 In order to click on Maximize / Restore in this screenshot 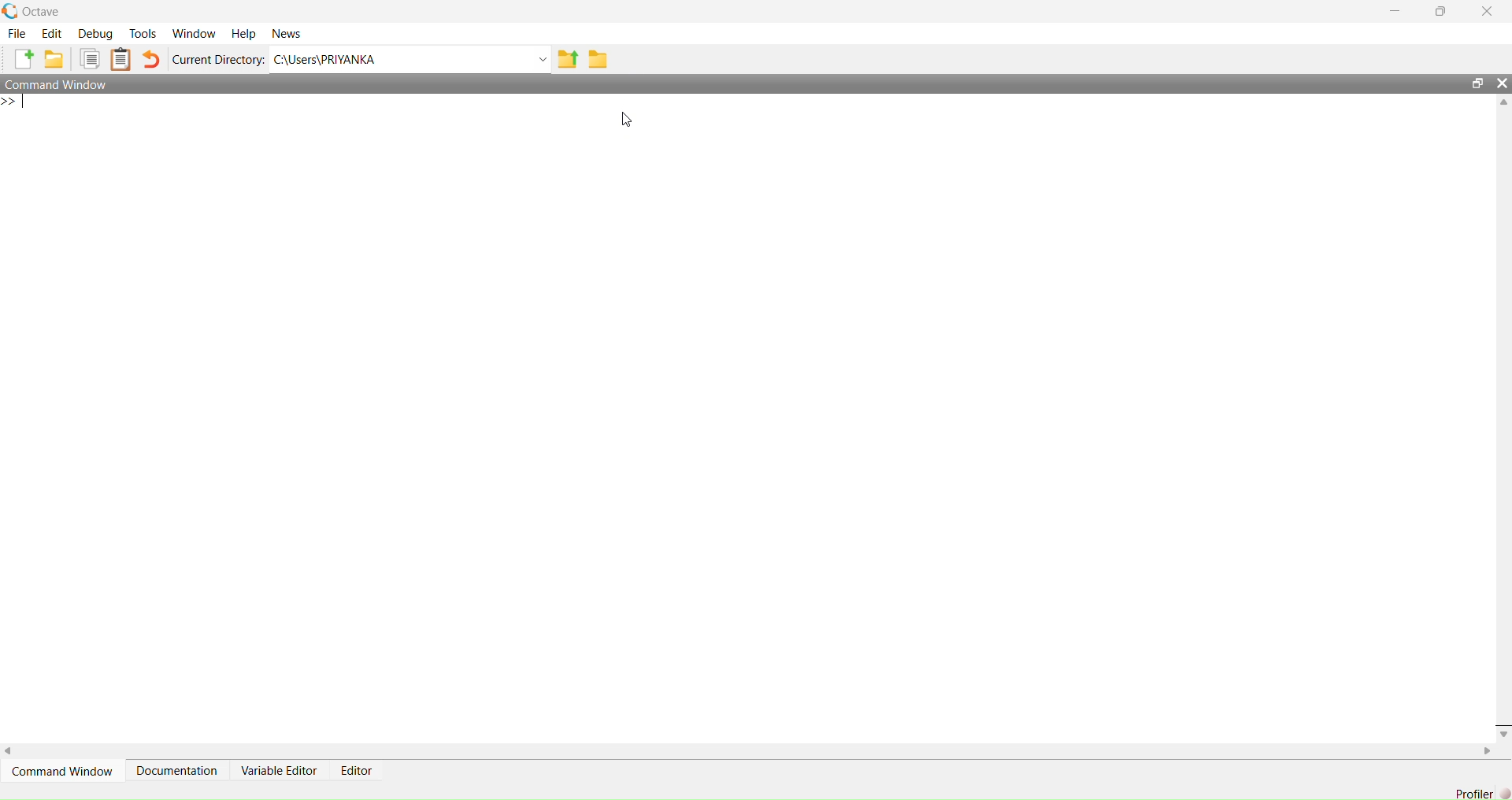, I will do `click(1440, 12)`.